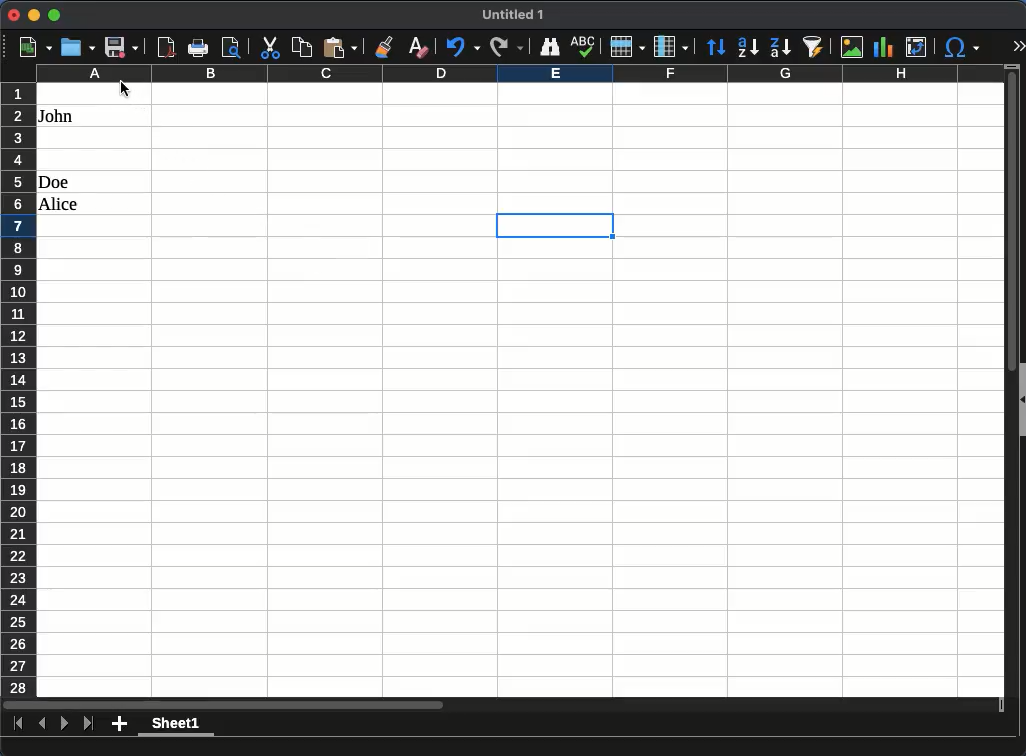  Describe the element at coordinates (555, 226) in the screenshot. I see `cell selected` at that location.